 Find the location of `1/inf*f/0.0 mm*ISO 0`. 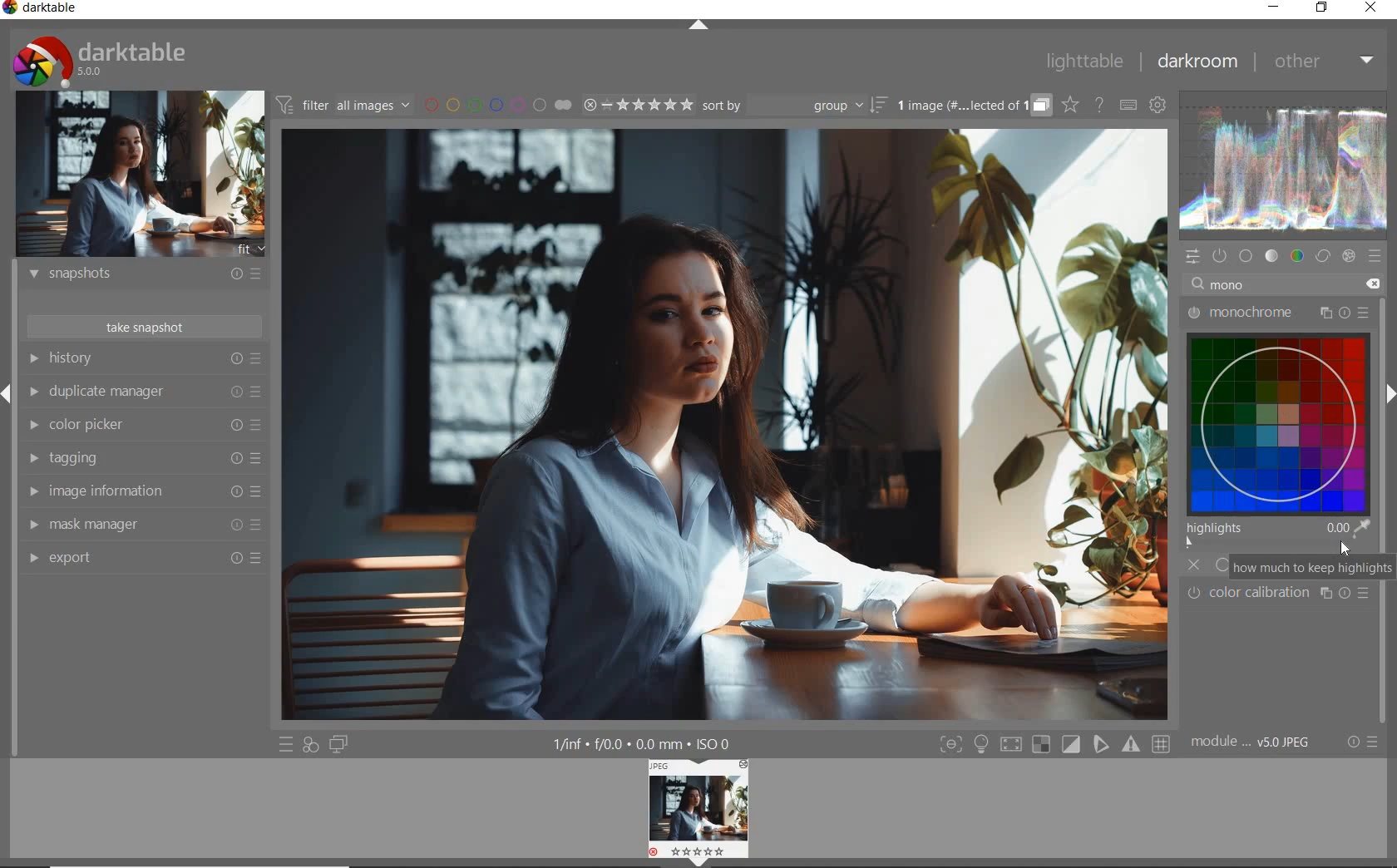

1/inf*f/0.0 mm*ISO 0 is located at coordinates (644, 743).